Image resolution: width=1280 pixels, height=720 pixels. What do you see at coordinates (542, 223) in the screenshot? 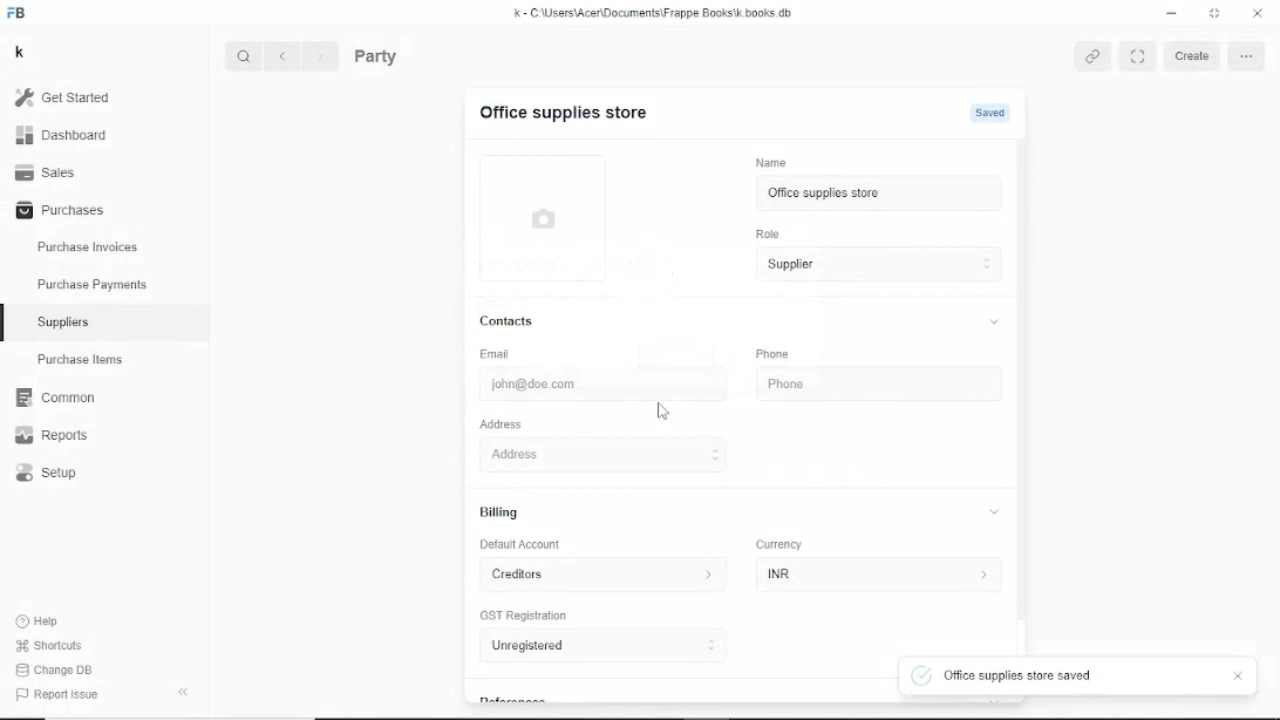
I see `Picture` at bounding box center [542, 223].